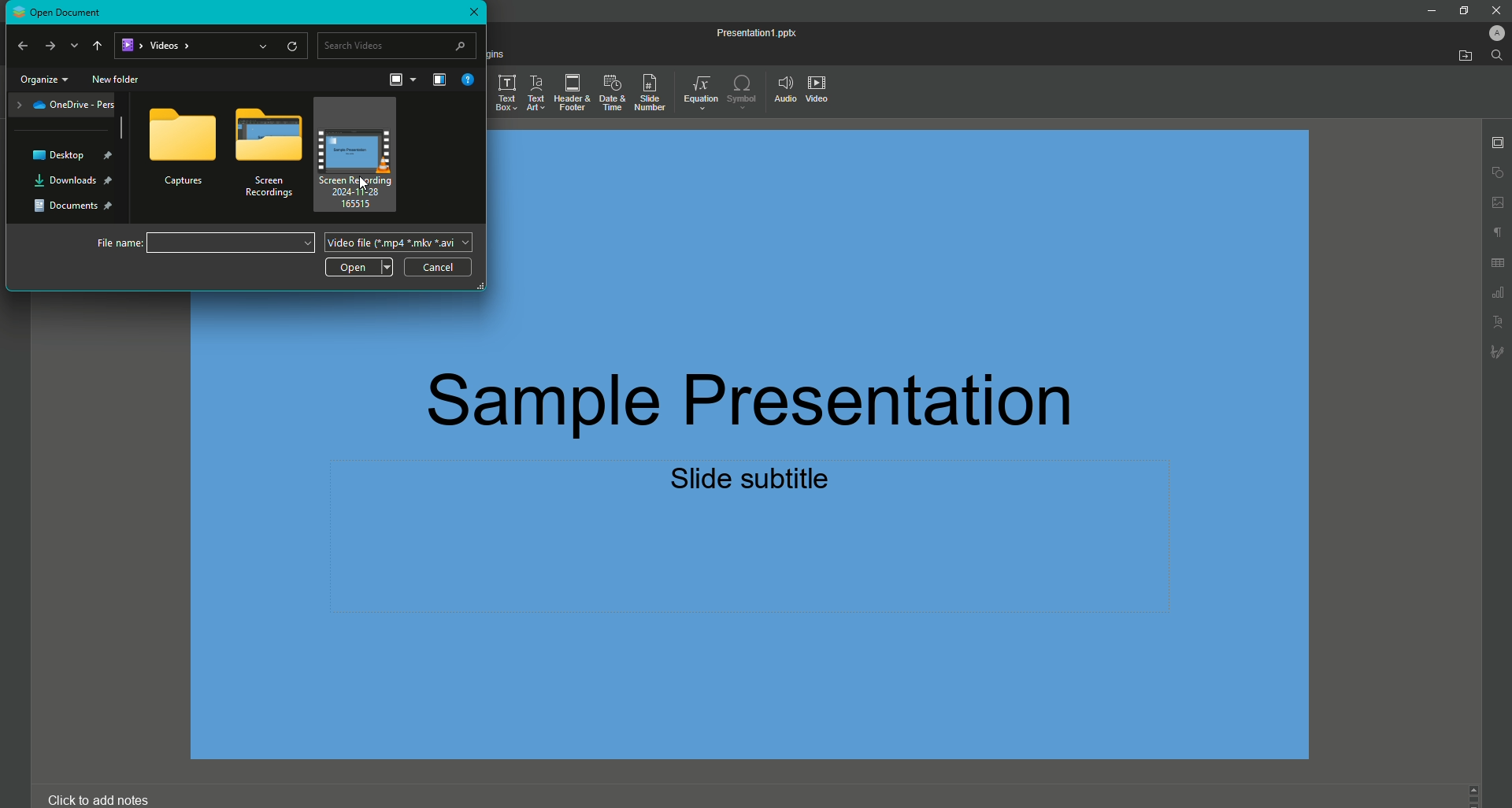 Image resolution: width=1512 pixels, height=808 pixels. What do you see at coordinates (609, 91) in the screenshot?
I see `Date and Time` at bounding box center [609, 91].